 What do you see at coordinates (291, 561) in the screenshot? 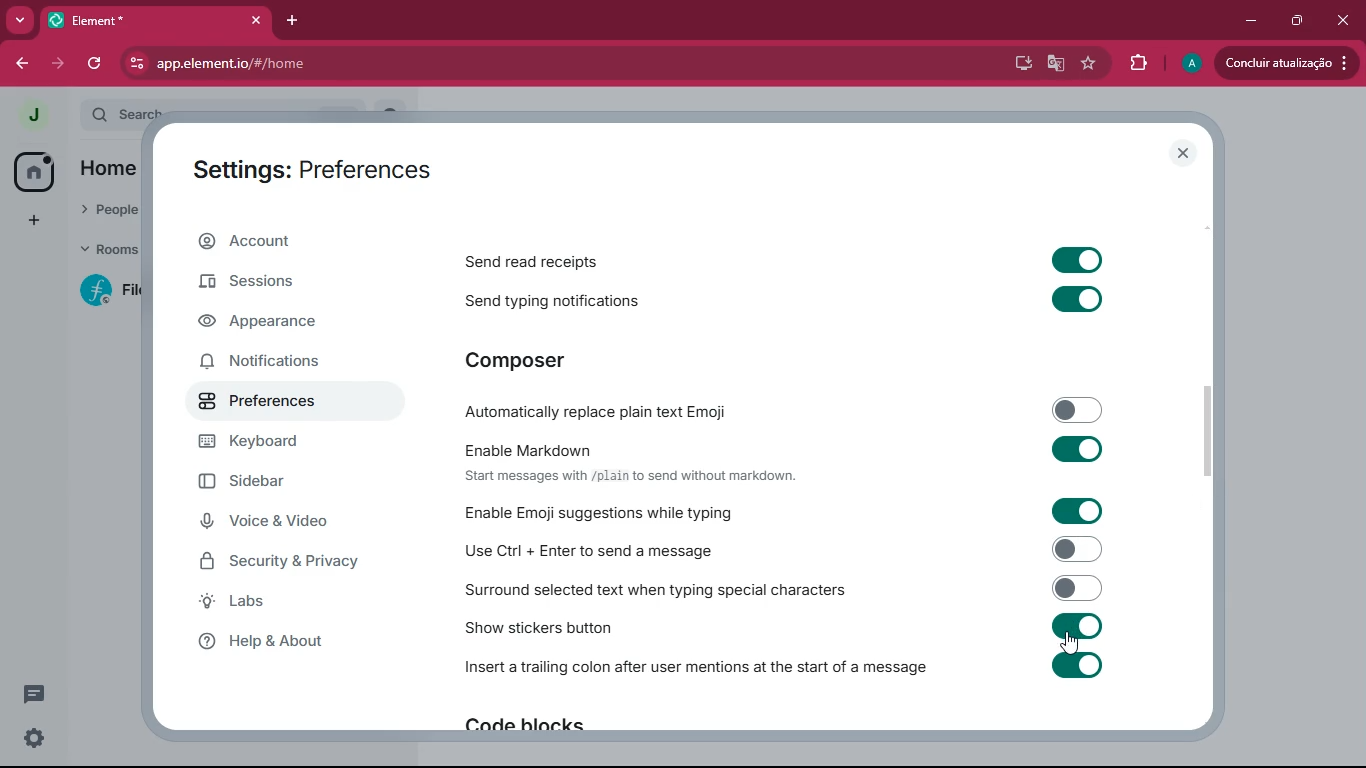
I see `security & privacy` at bounding box center [291, 561].